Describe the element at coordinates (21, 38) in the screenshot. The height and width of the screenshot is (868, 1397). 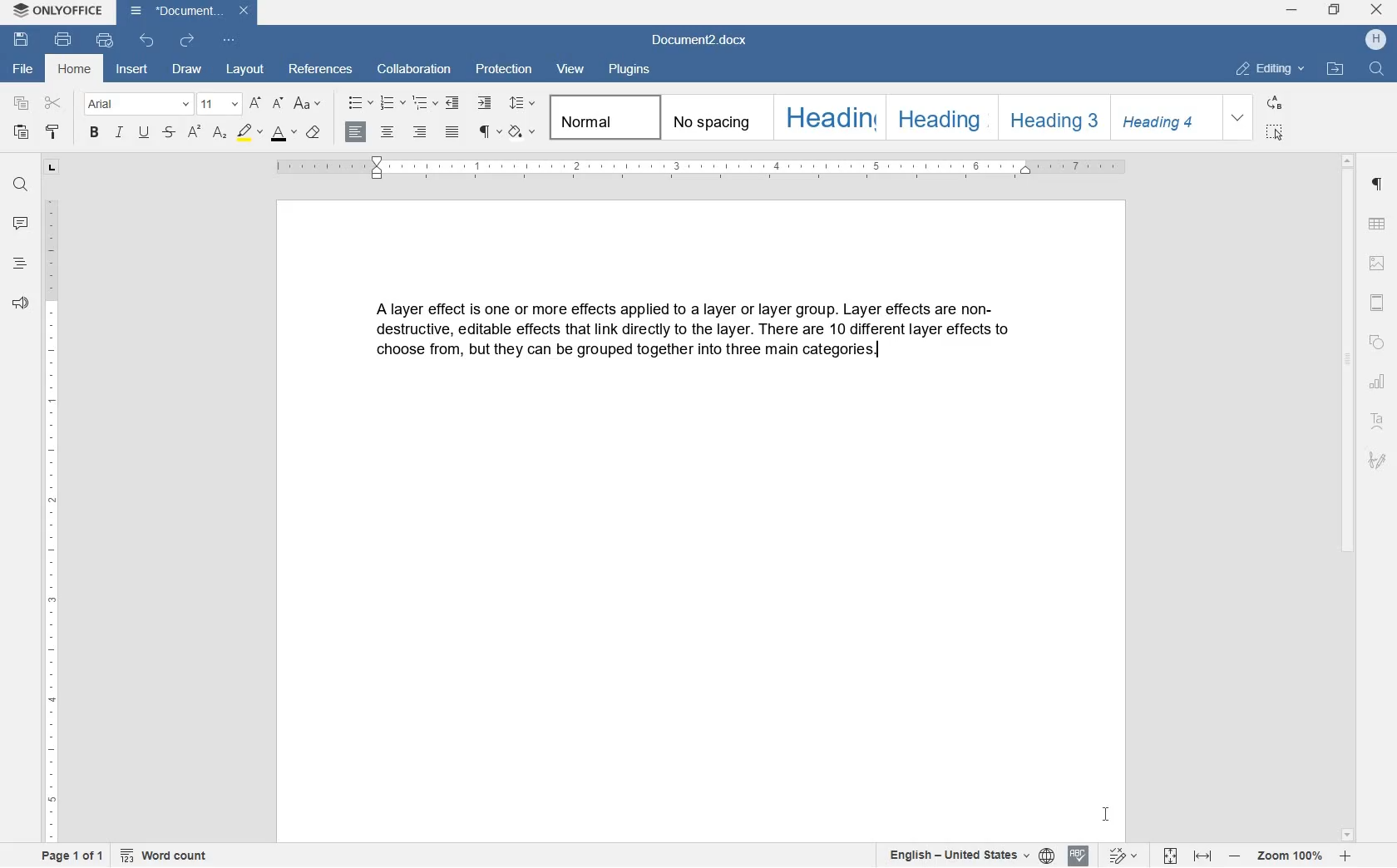
I see `SAVE` at that location.